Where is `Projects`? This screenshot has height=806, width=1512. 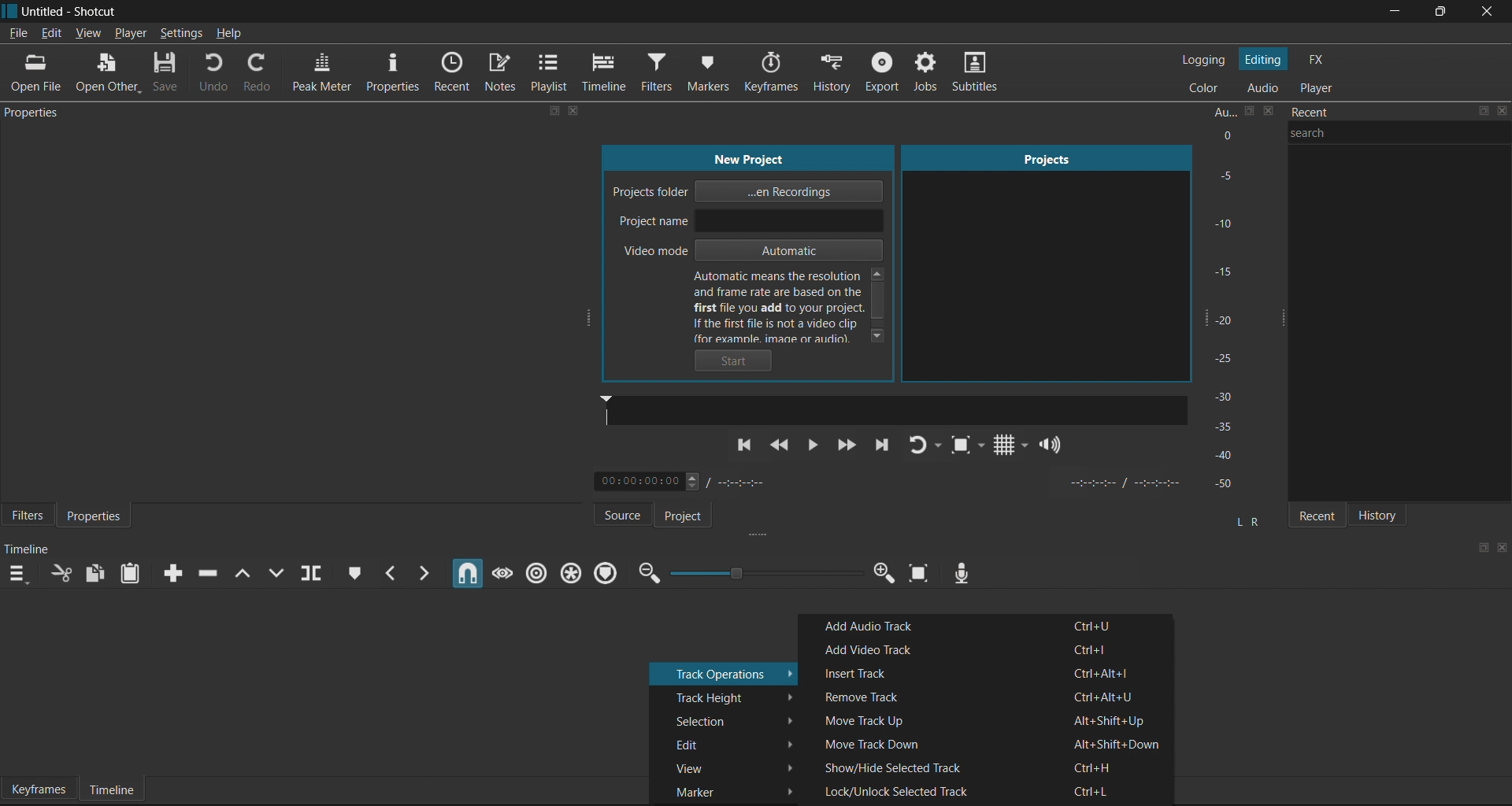 Projects is located at coordinates (1037, 263).